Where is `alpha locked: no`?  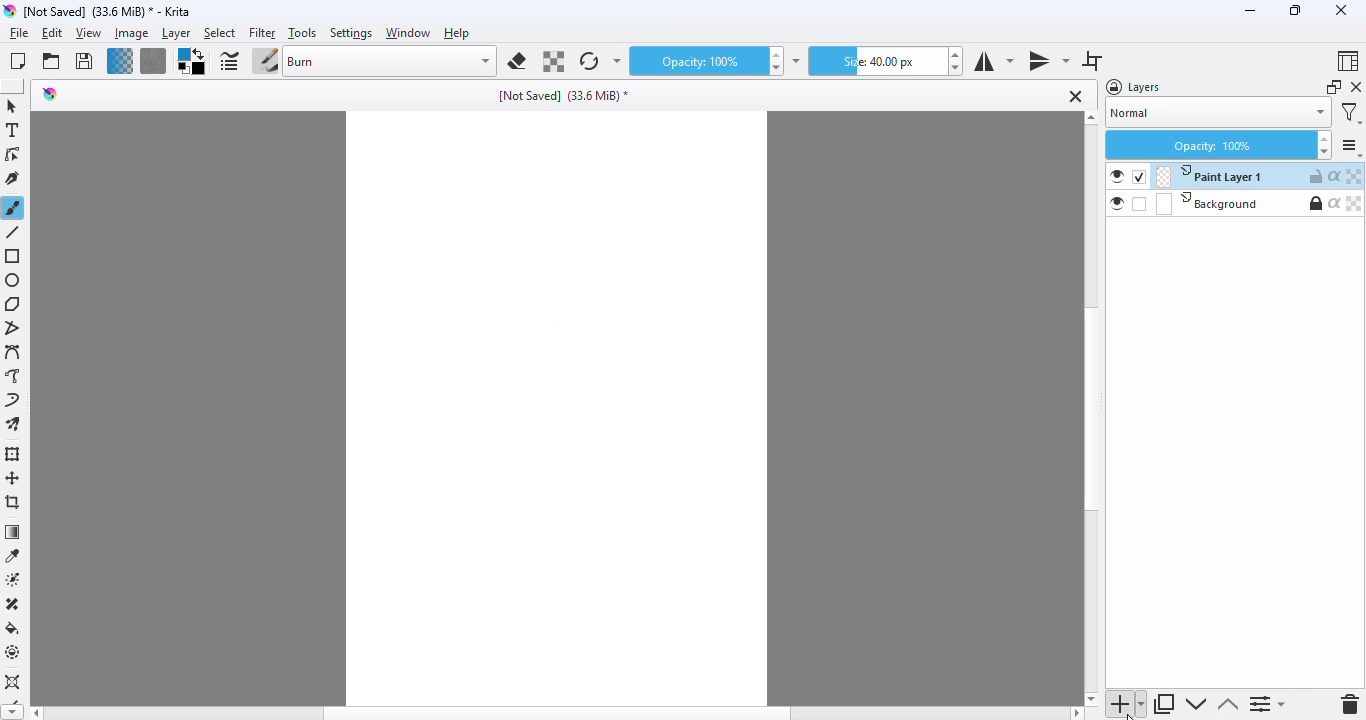
alpha locked: no is located at coordinates (1355, 203).